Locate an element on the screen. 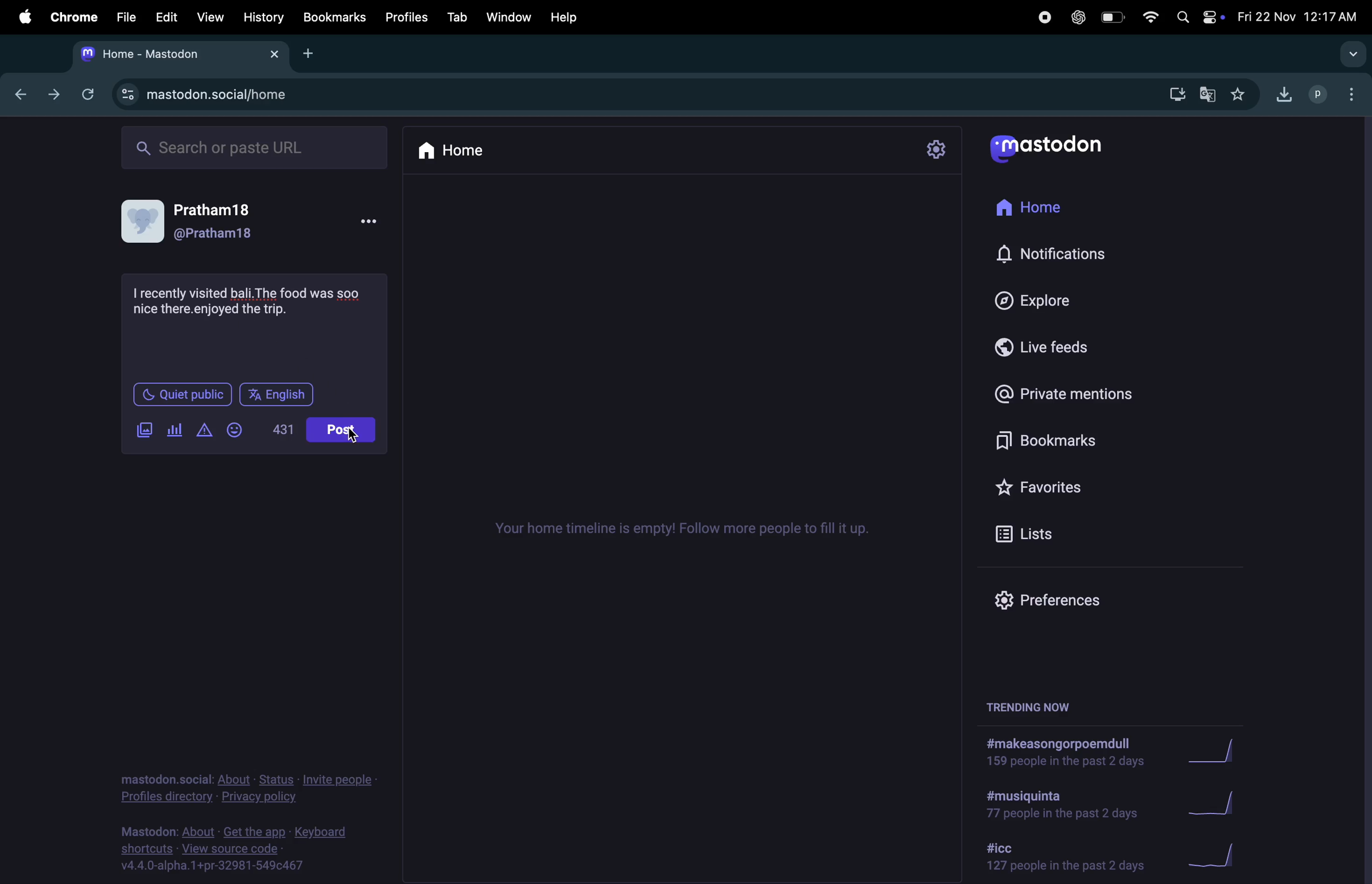 The width and height of the screenshot is (1372, 884). graph is located at coordinates (1219, 859).